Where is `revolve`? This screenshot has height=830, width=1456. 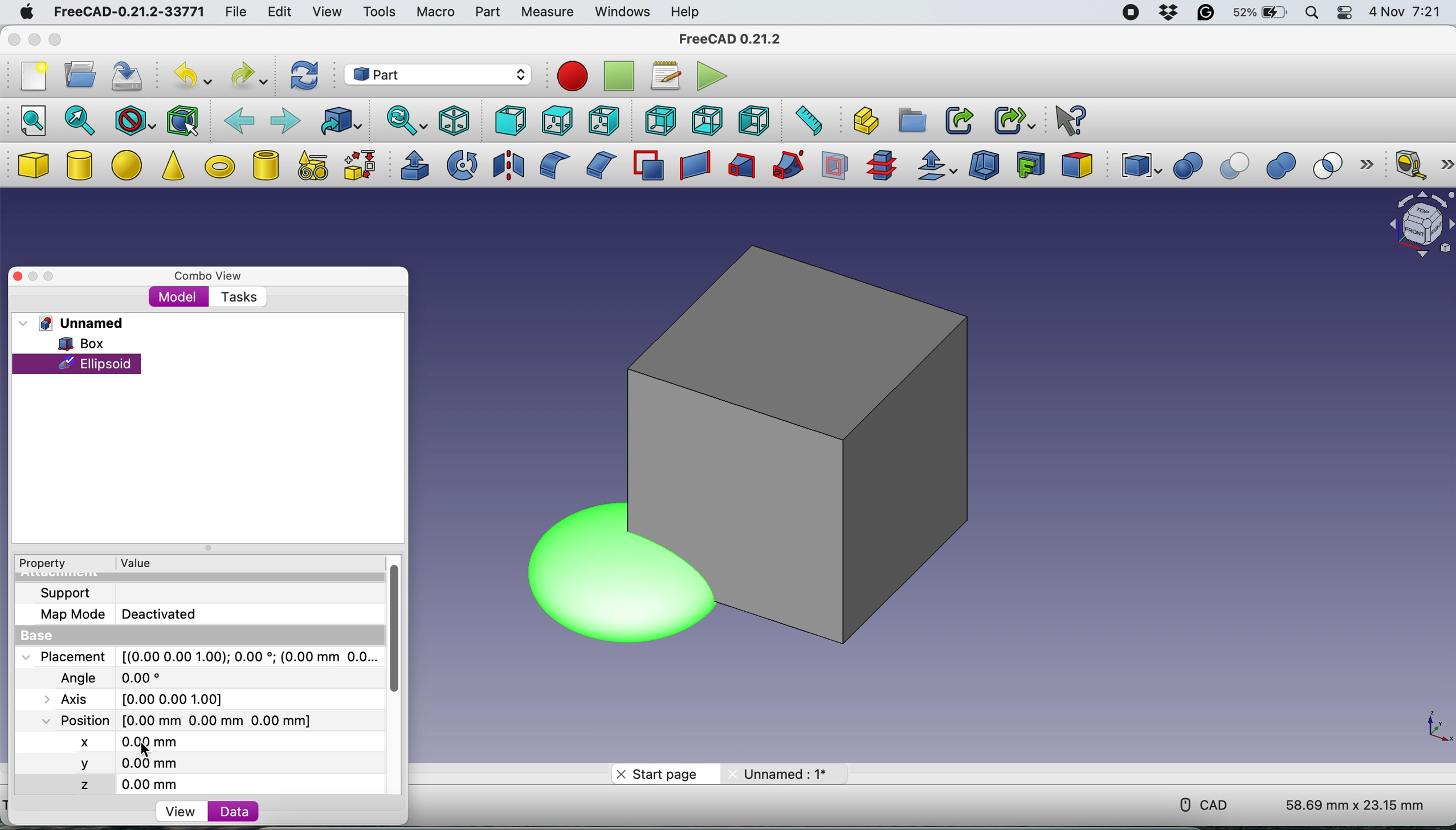 revolve is located at coordinates (463, 164).